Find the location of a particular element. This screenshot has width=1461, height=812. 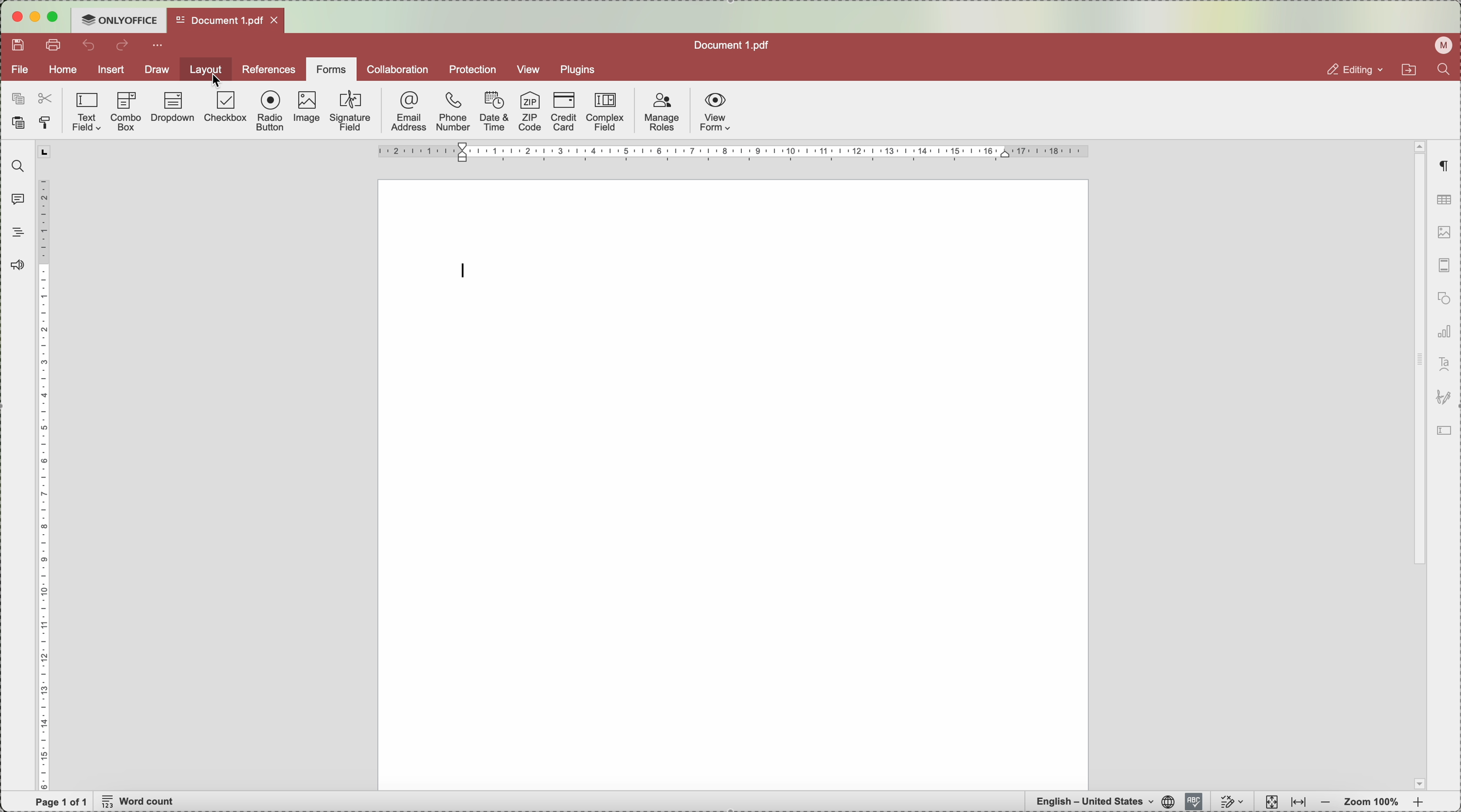

view form is located at coordinates (713, 114).